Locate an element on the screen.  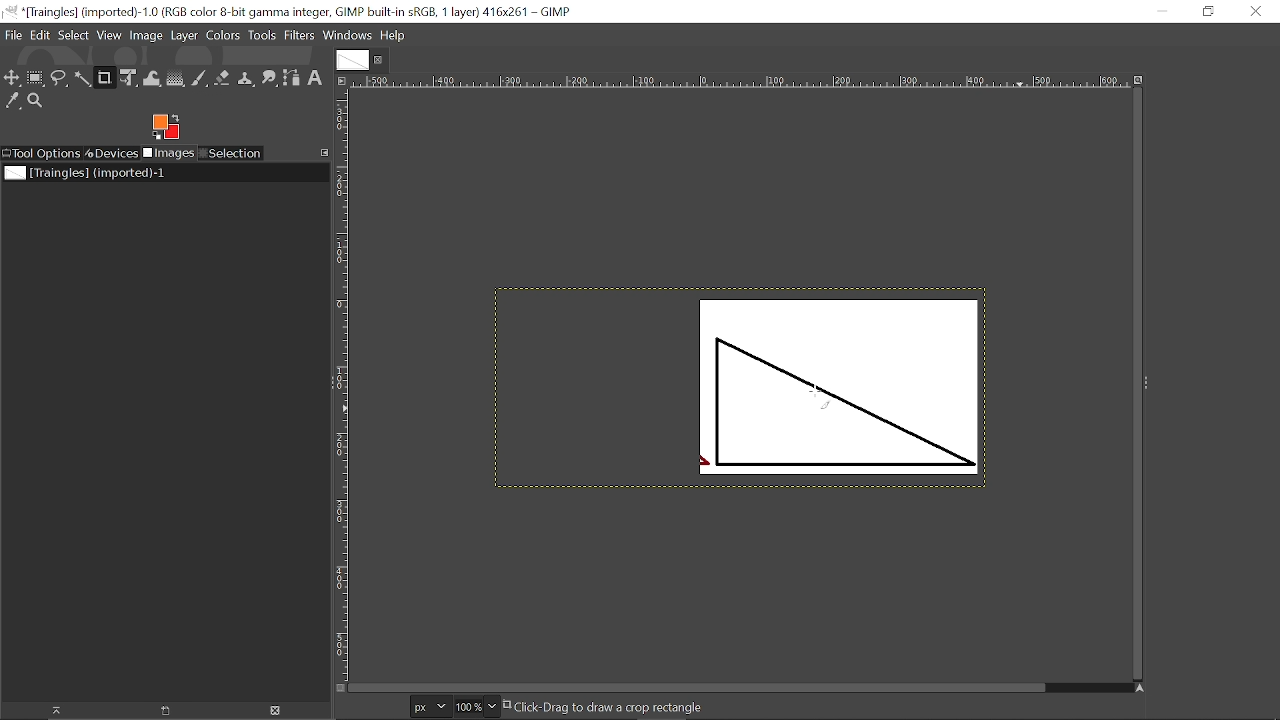
Color picker tool is located at coordinates (13, 101).